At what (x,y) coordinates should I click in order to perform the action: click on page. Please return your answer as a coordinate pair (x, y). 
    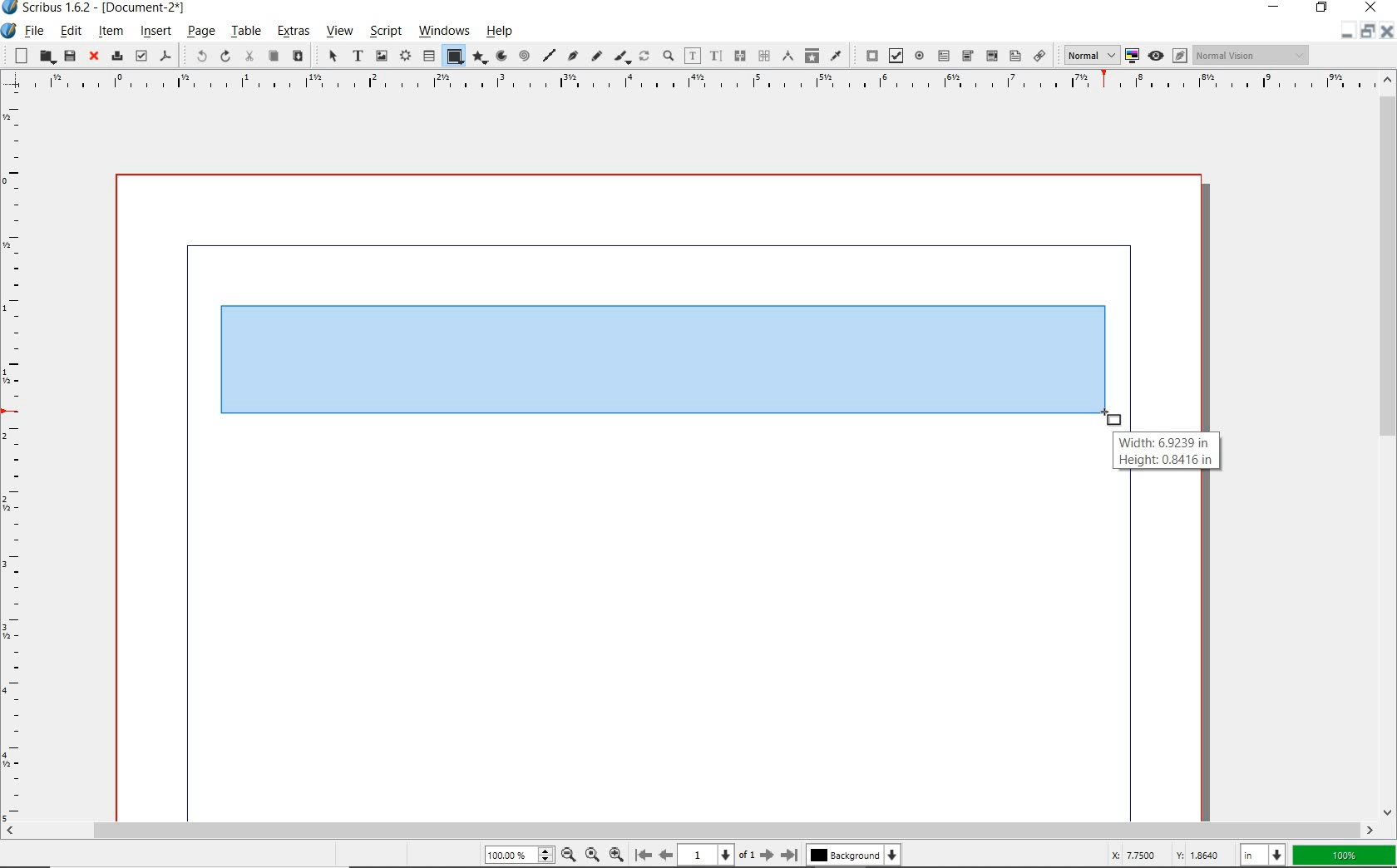
    Looking at the image, I should click on (201, 31).